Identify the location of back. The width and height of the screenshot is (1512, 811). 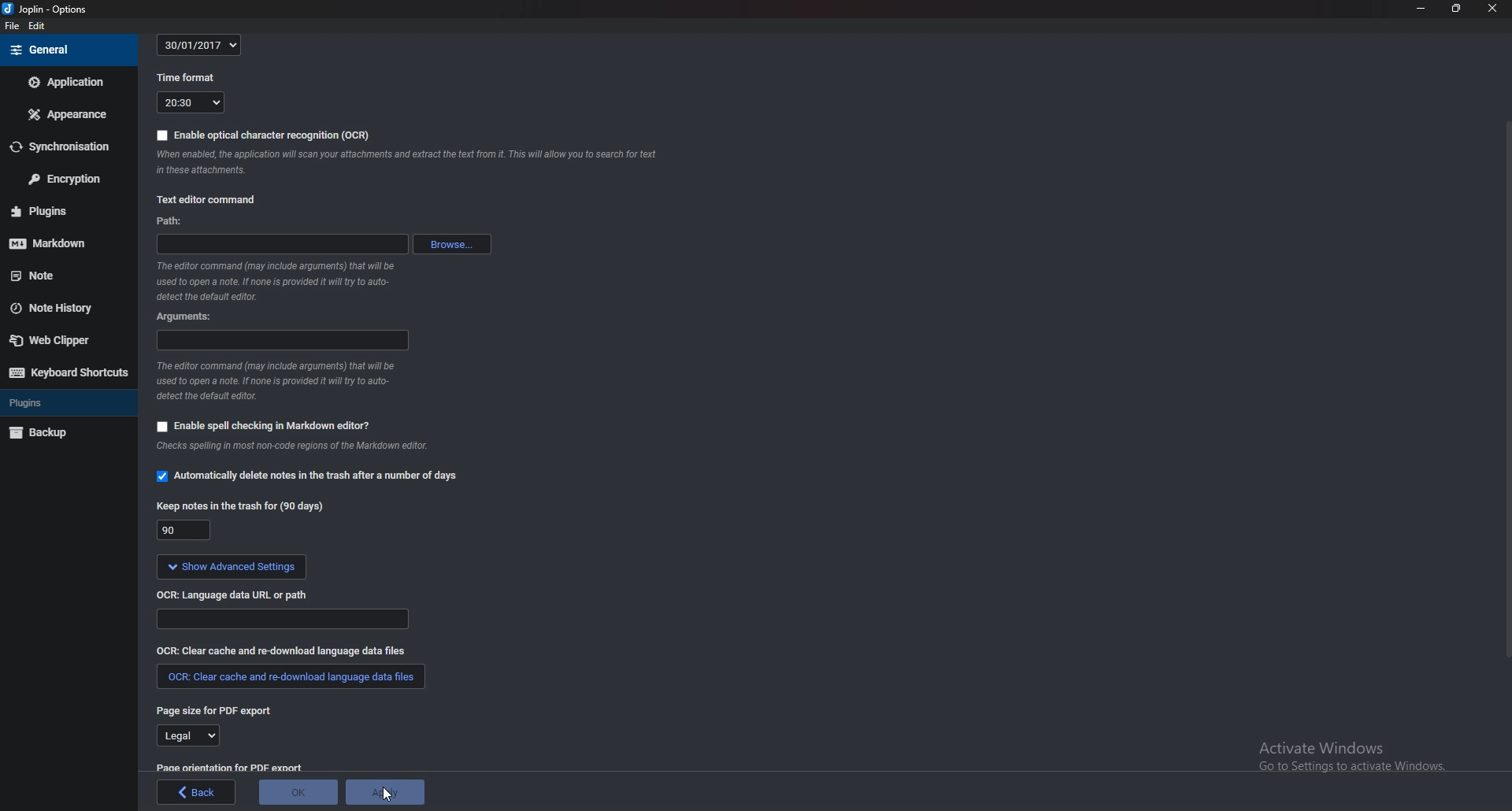
(196, 793).